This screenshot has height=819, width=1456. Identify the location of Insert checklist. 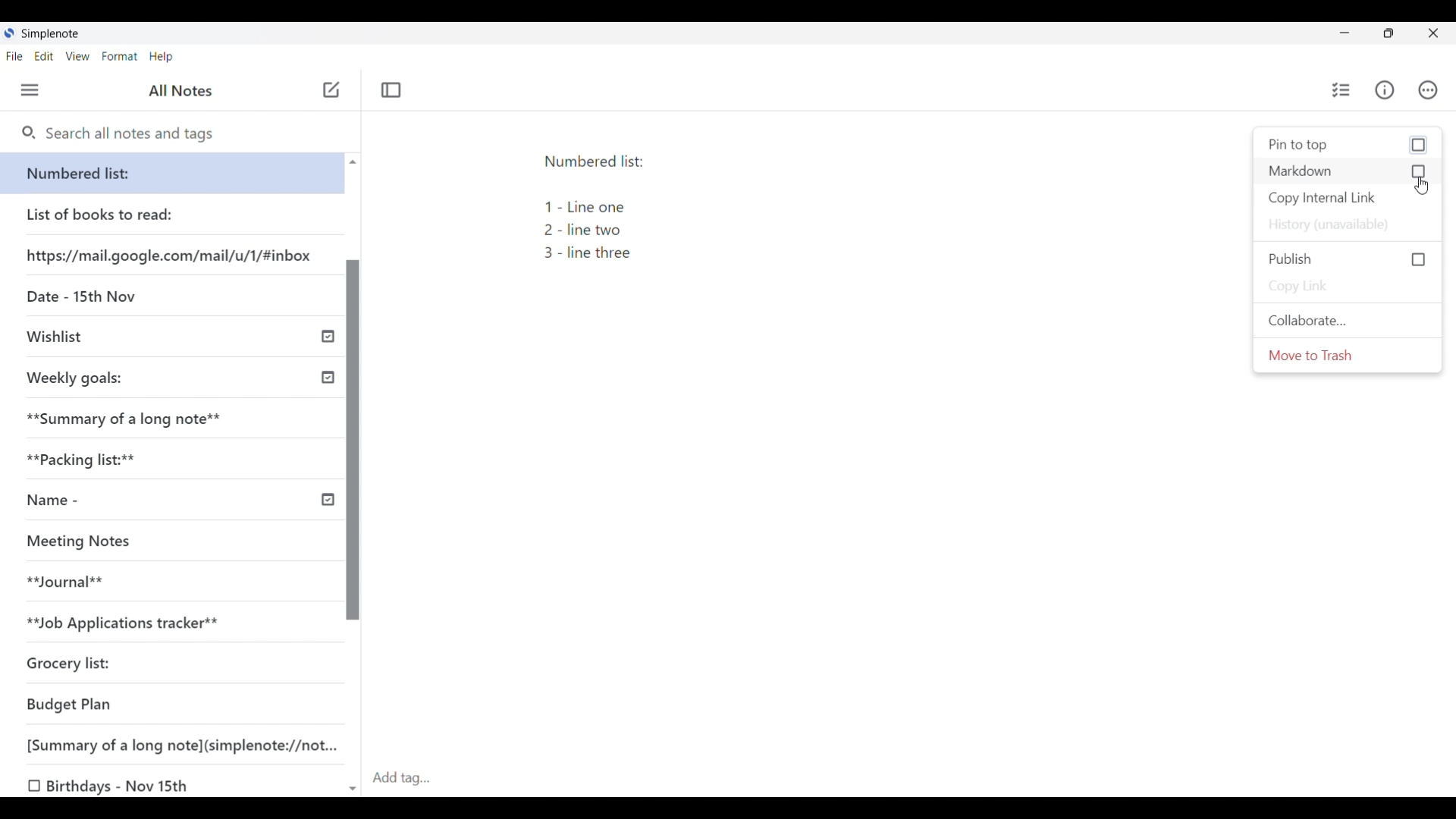
(1341, 90).